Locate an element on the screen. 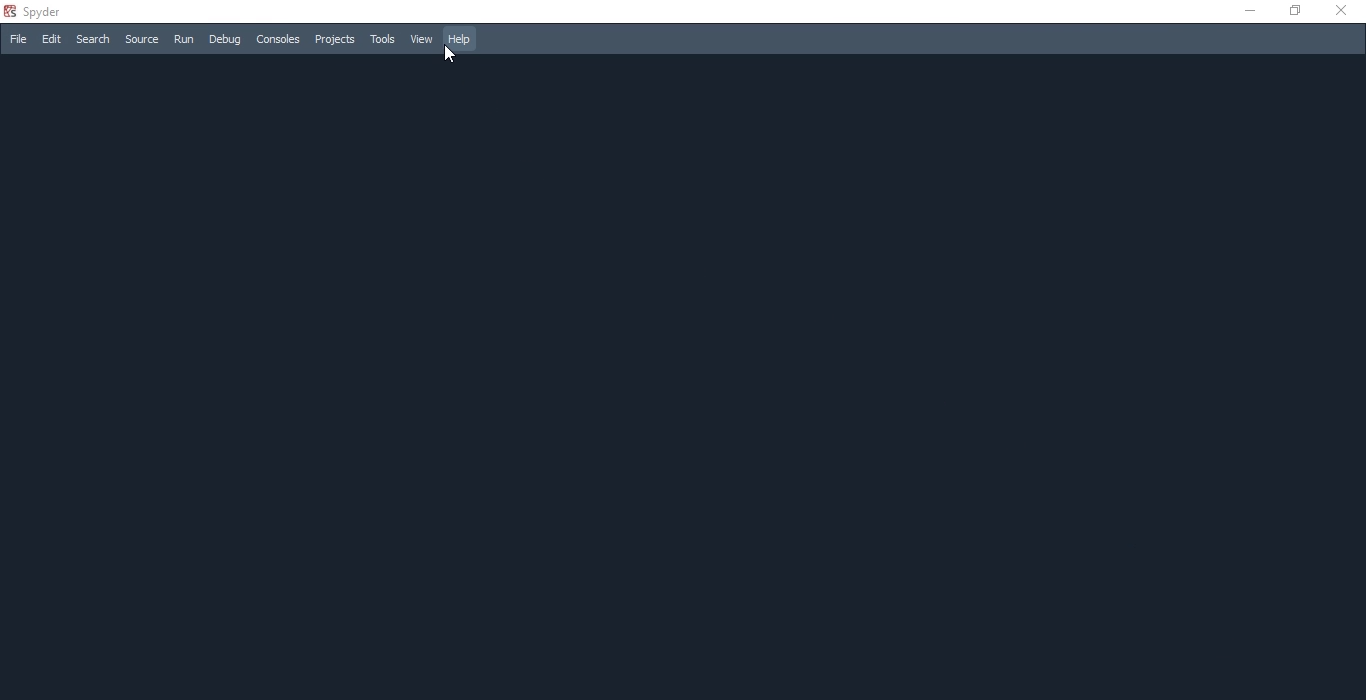  source is located at coordinates (141, 40).